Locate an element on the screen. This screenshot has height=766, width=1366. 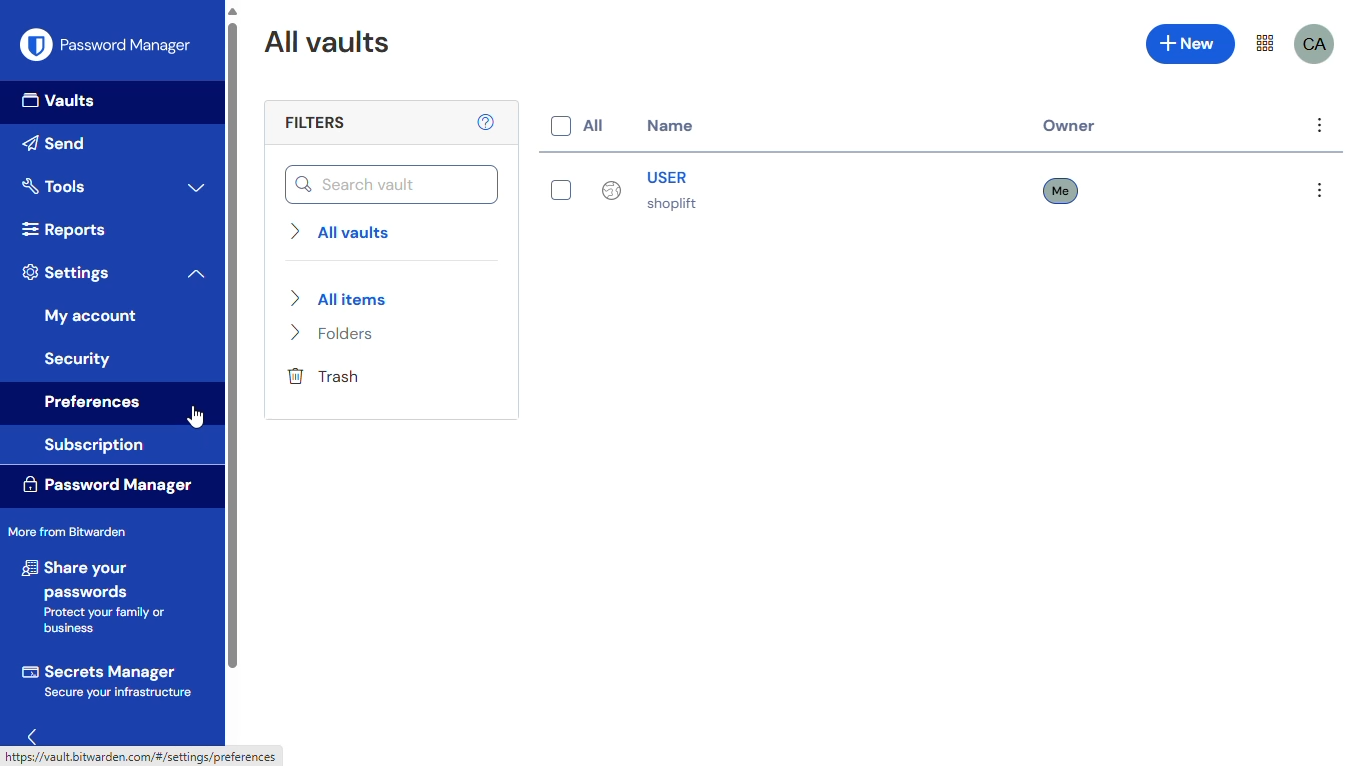
vertical scroll bar is located at coordinates (232, 346).